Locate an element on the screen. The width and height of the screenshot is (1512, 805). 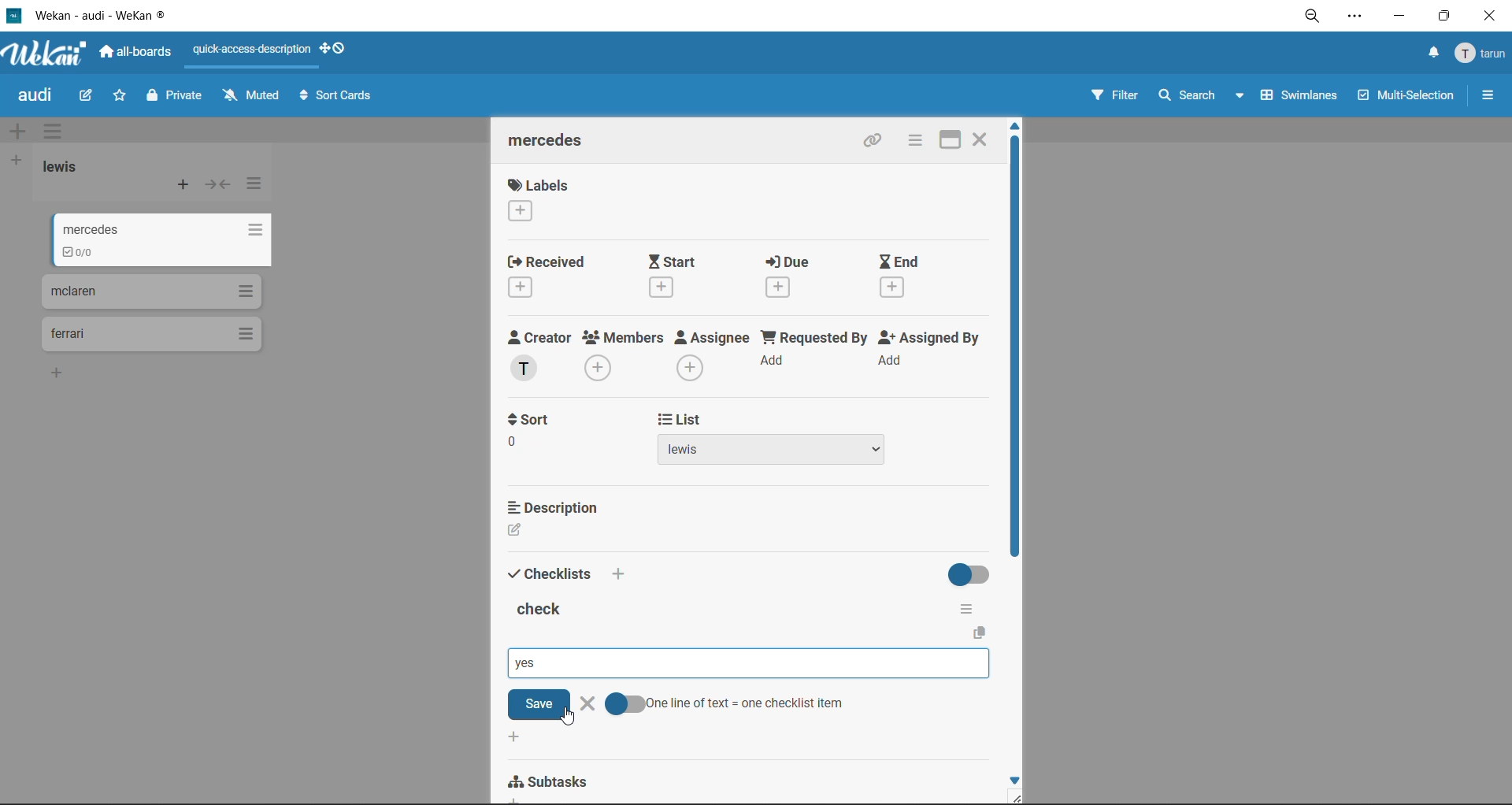
settings is located at coordinates (1358, 19).